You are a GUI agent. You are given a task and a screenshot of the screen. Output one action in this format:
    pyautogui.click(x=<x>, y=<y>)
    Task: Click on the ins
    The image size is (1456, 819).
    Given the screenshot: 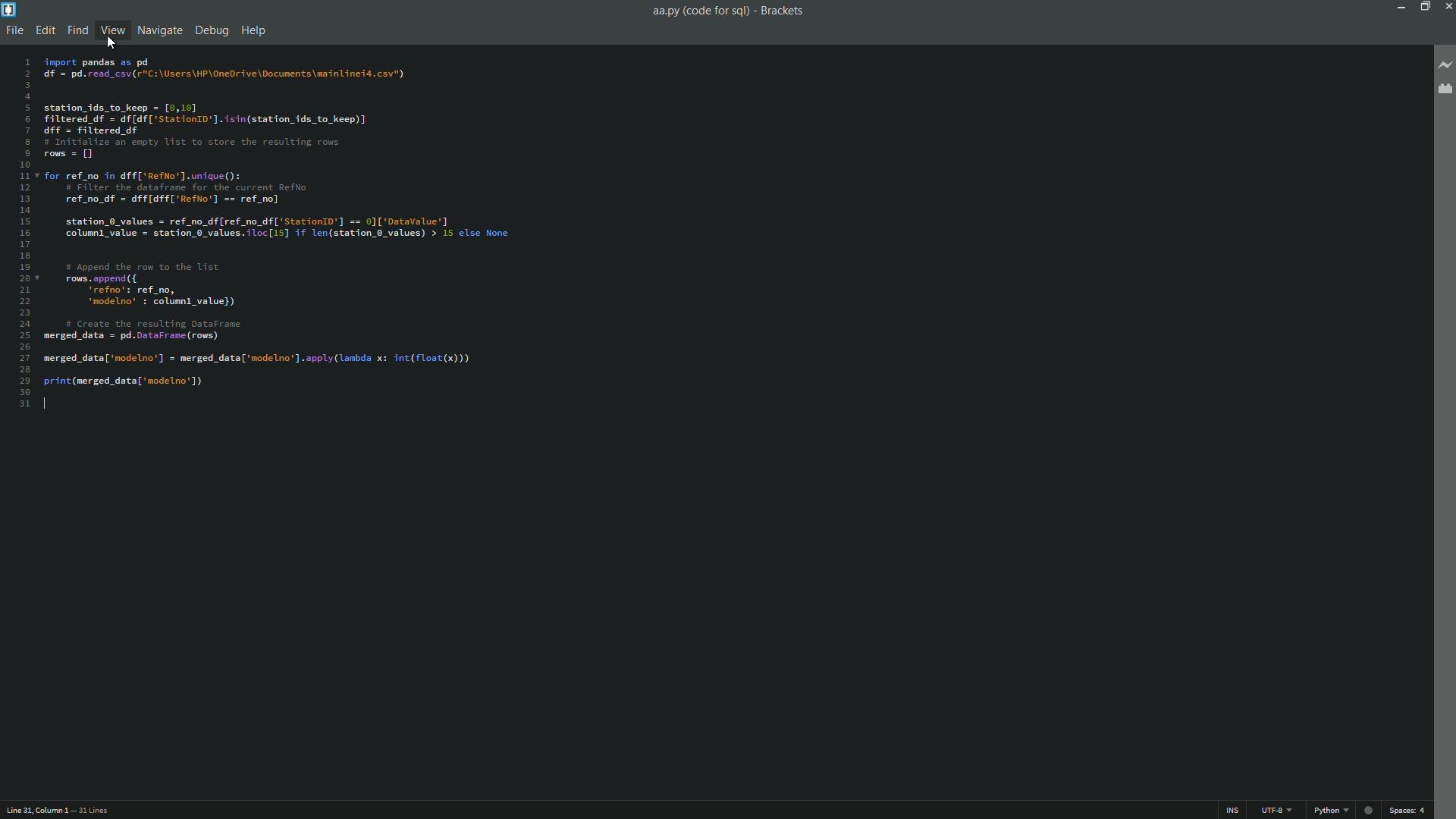 What is the action you would take?
    pyautogui.click(x=1233, y=810)
    